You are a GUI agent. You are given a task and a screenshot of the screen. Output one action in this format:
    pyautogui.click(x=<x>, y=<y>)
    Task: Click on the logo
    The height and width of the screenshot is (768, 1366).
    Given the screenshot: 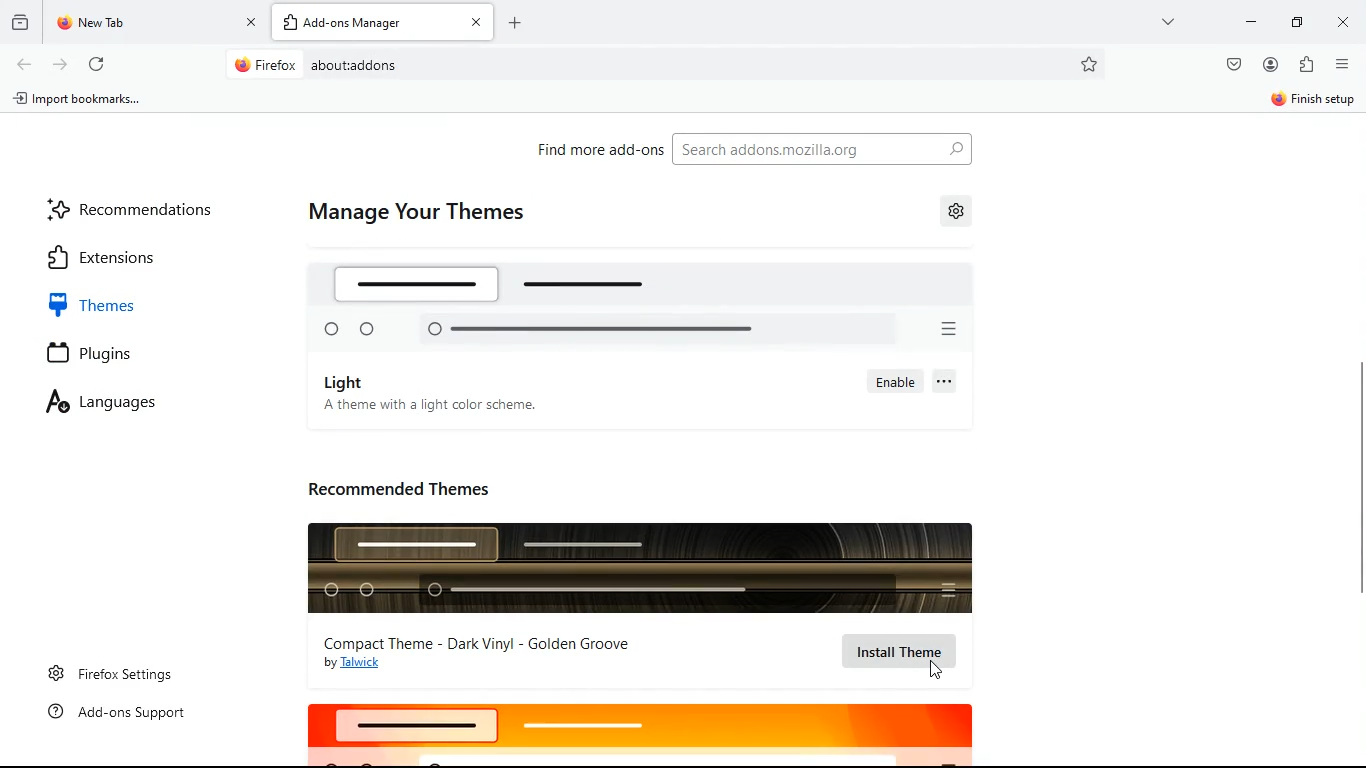 What is the action you would take?
    pyautogui.click(x=636, y=566)
    